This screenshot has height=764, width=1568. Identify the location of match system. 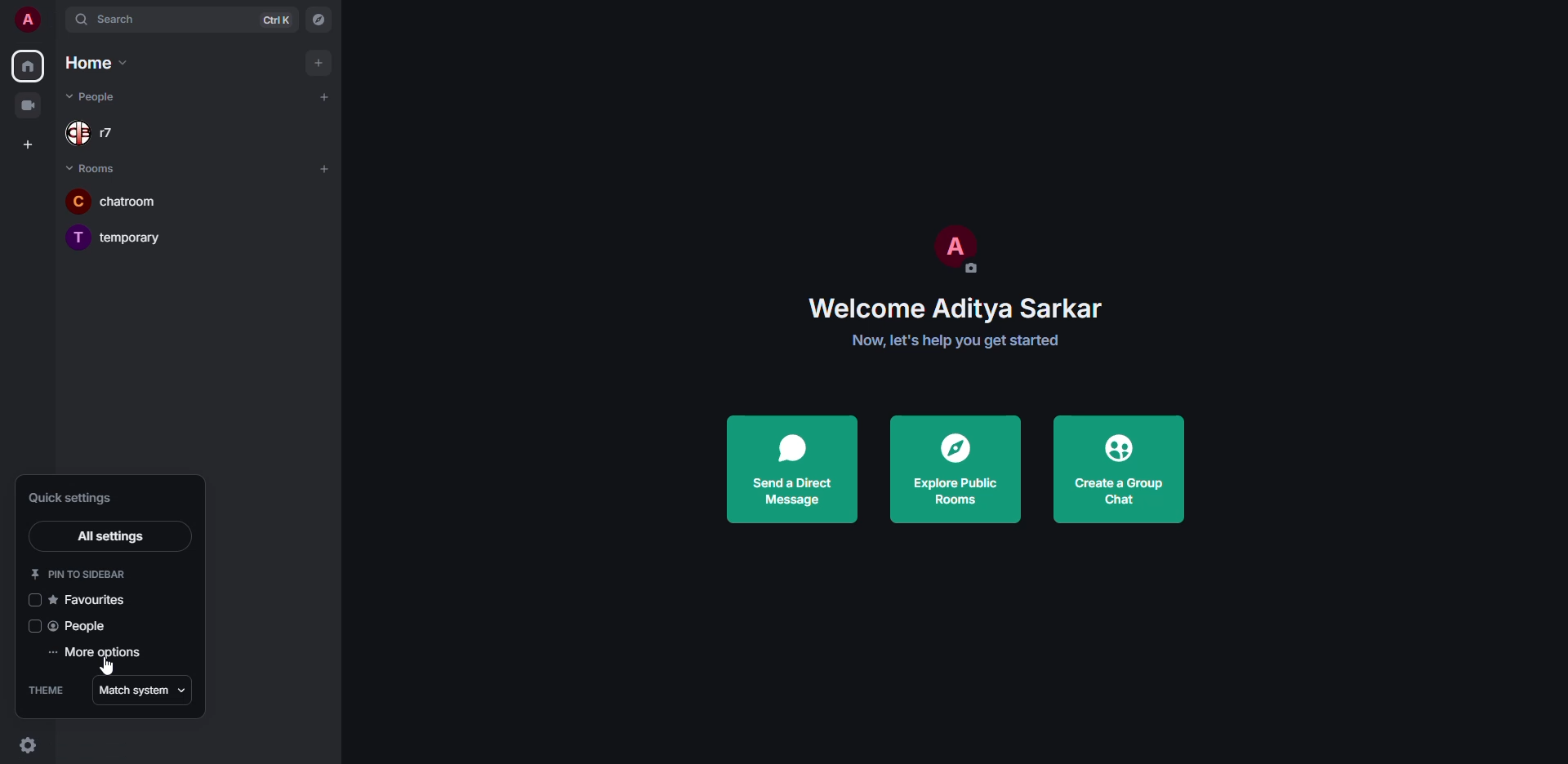
(143, 688).